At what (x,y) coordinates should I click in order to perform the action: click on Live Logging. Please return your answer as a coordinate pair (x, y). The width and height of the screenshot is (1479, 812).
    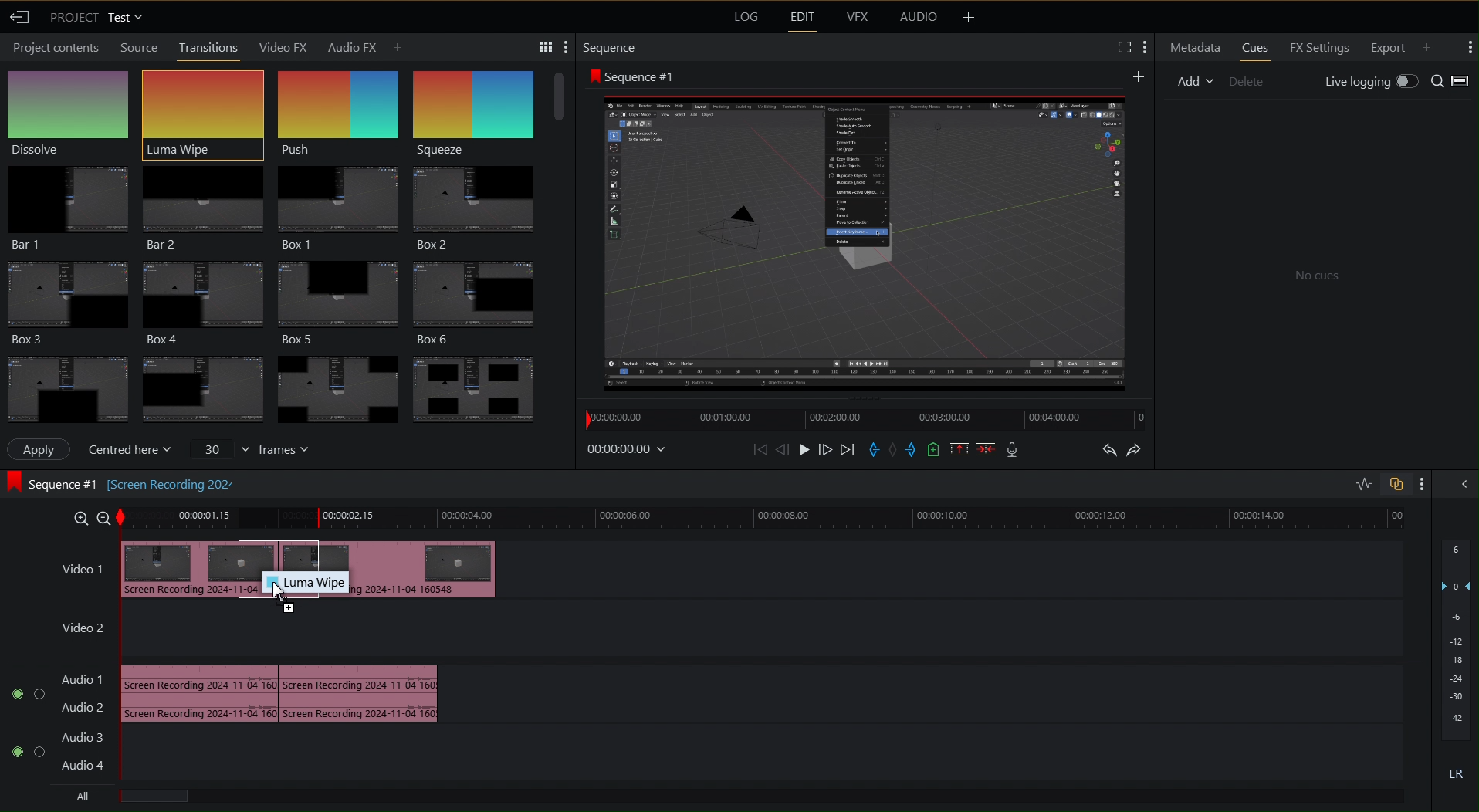
    Looking at the image, I should click on (1371, 80).